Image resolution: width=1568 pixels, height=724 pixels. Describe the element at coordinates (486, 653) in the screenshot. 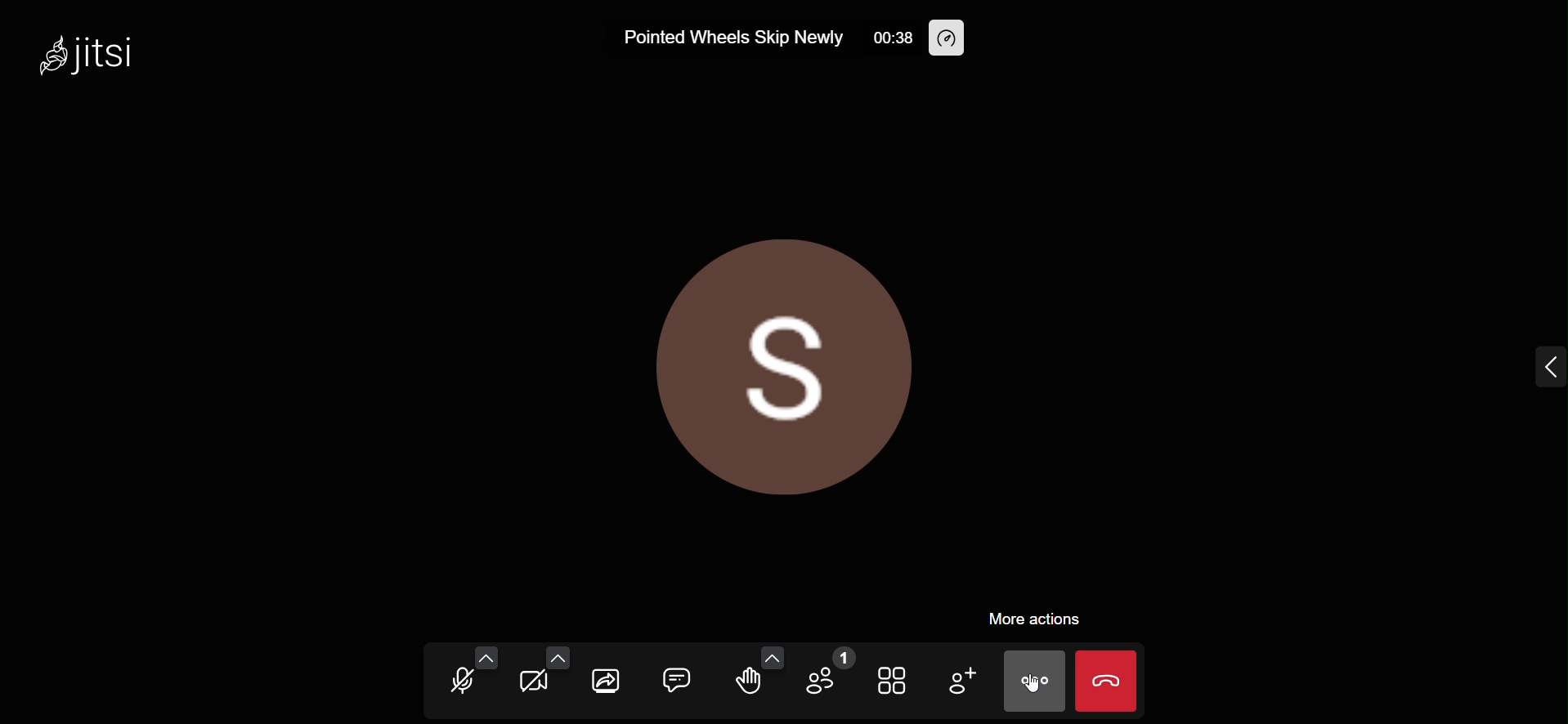

I see `audio setting` at that location.